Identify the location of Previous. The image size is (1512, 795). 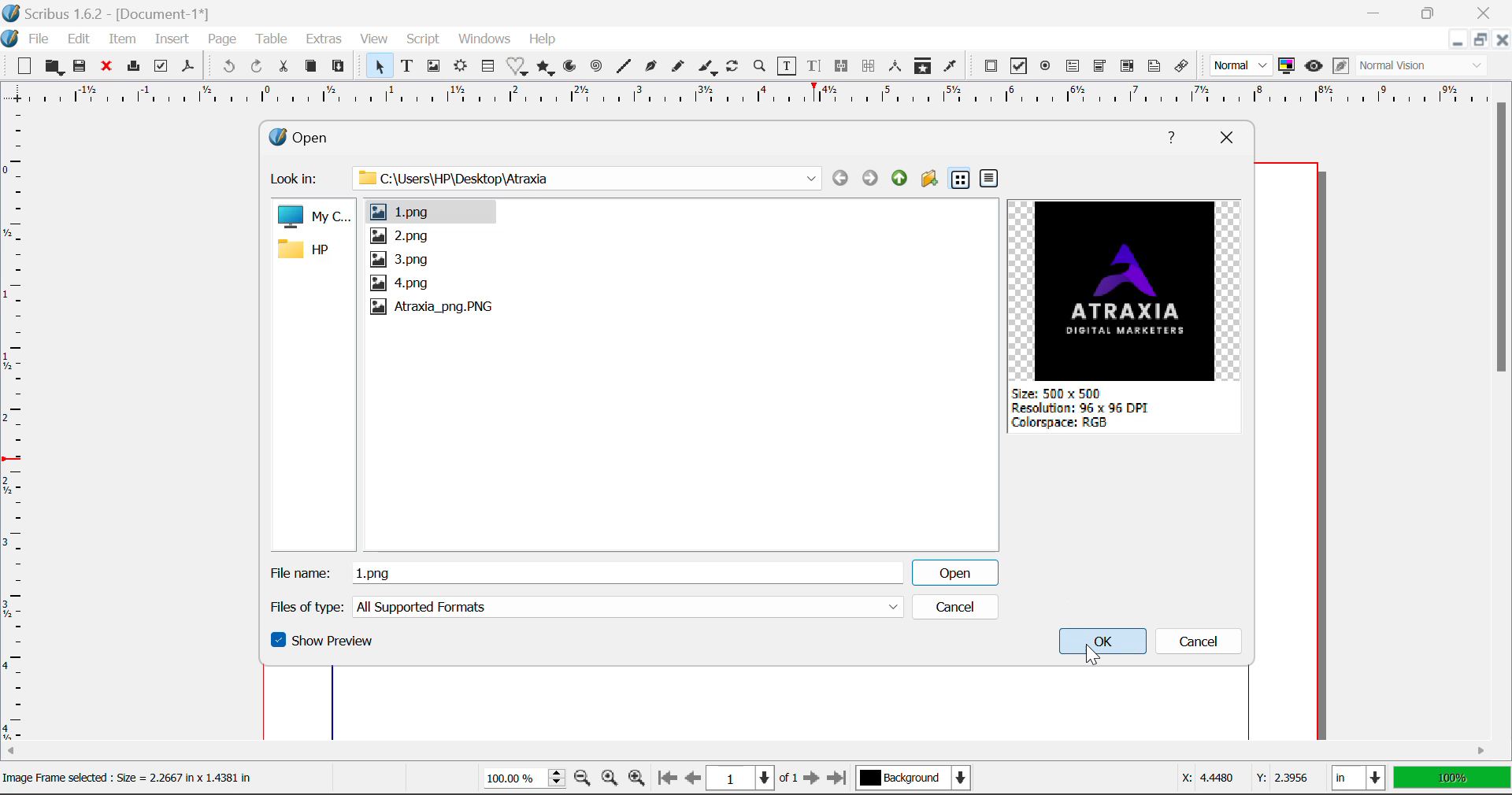
(839, 178).